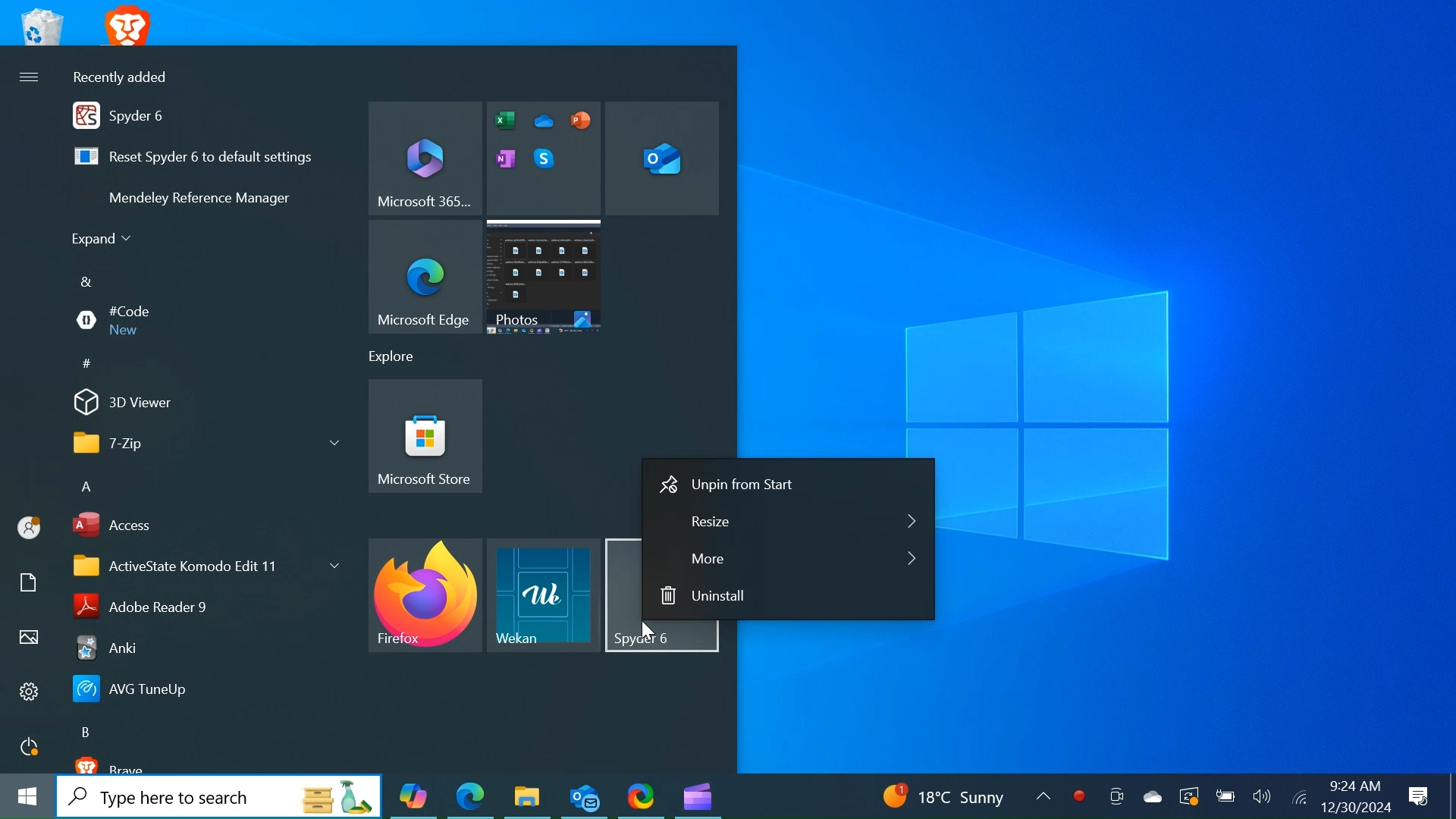 This screenshot has height=819, width=1456. I want to click on #, so click(93, 366).